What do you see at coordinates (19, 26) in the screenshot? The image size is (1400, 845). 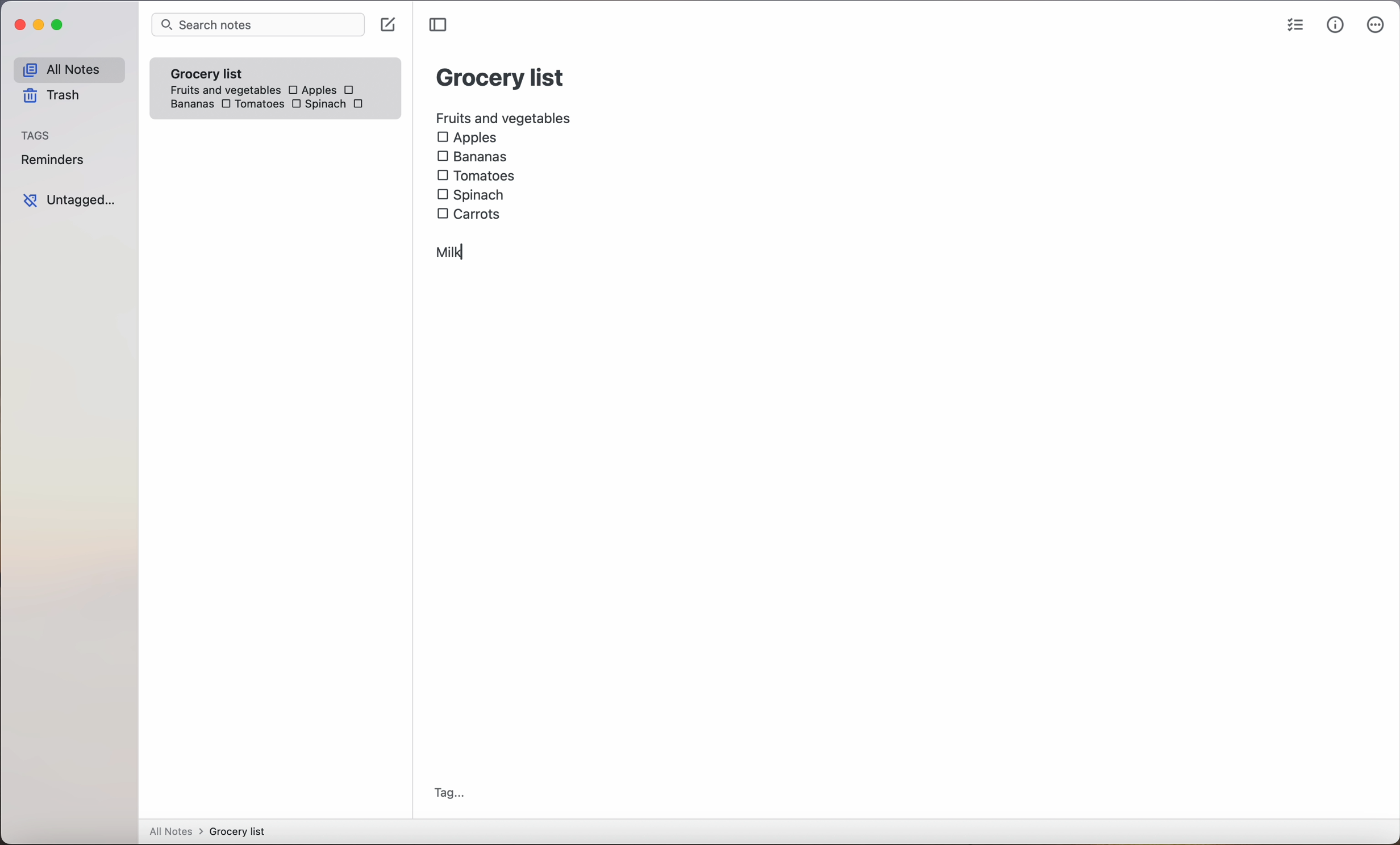 I see `close Simplenote` at bounding box center [19, 26].